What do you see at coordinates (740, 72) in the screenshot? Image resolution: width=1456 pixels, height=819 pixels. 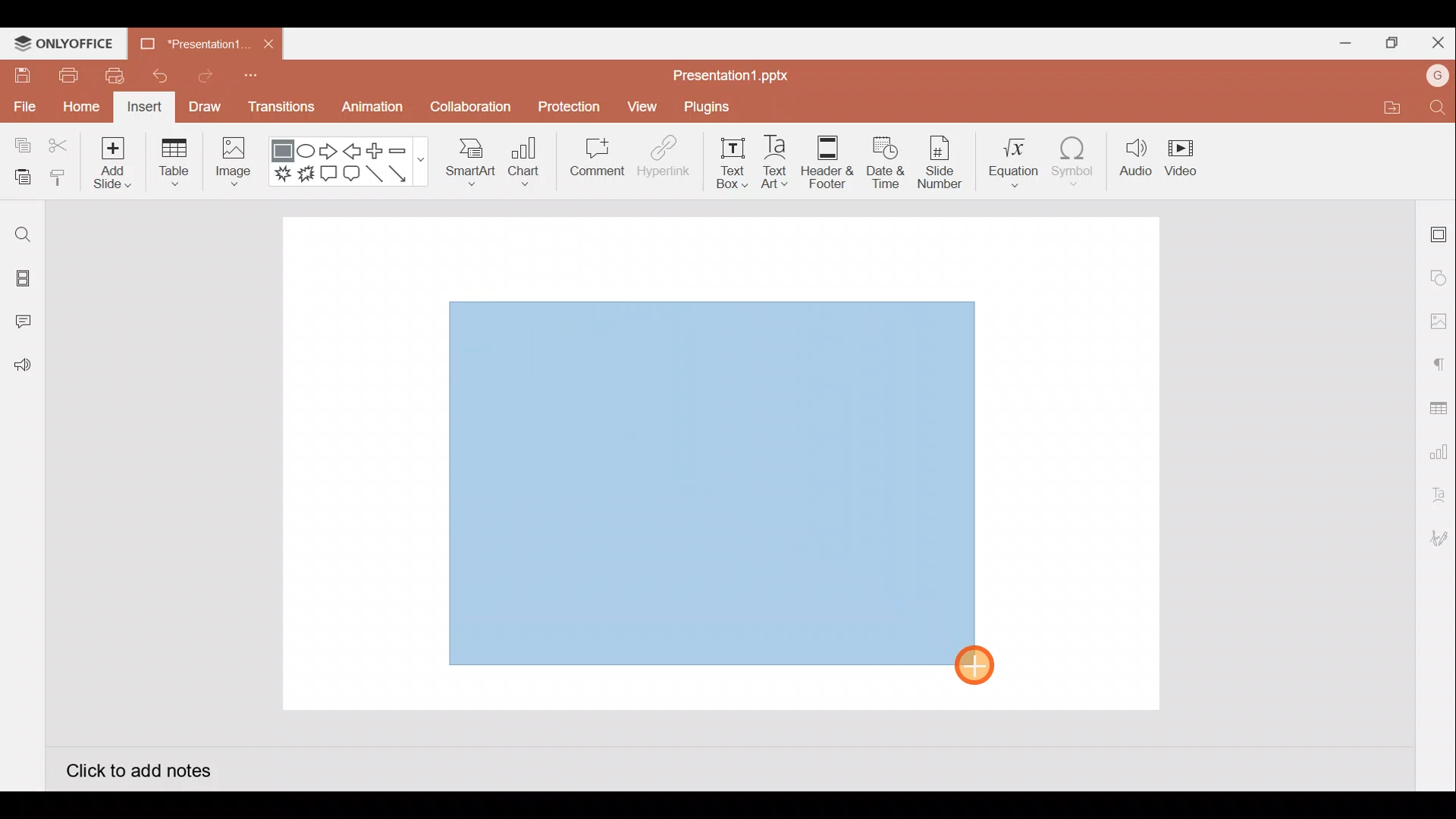 I see `Presentation1.pptx` at bounding box center [740, 72].